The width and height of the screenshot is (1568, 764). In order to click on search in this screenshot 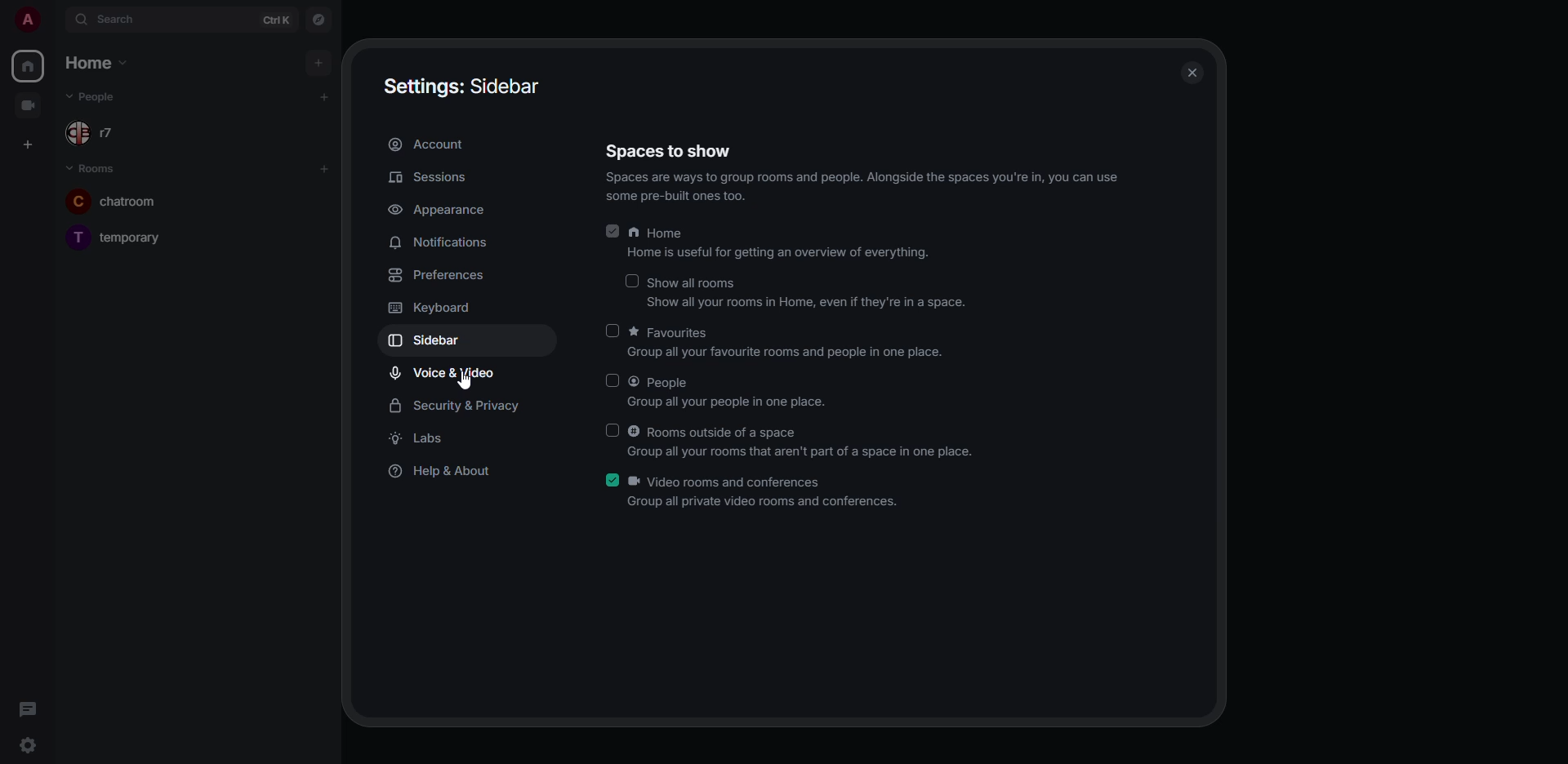, I will do `click(127, 19)`.